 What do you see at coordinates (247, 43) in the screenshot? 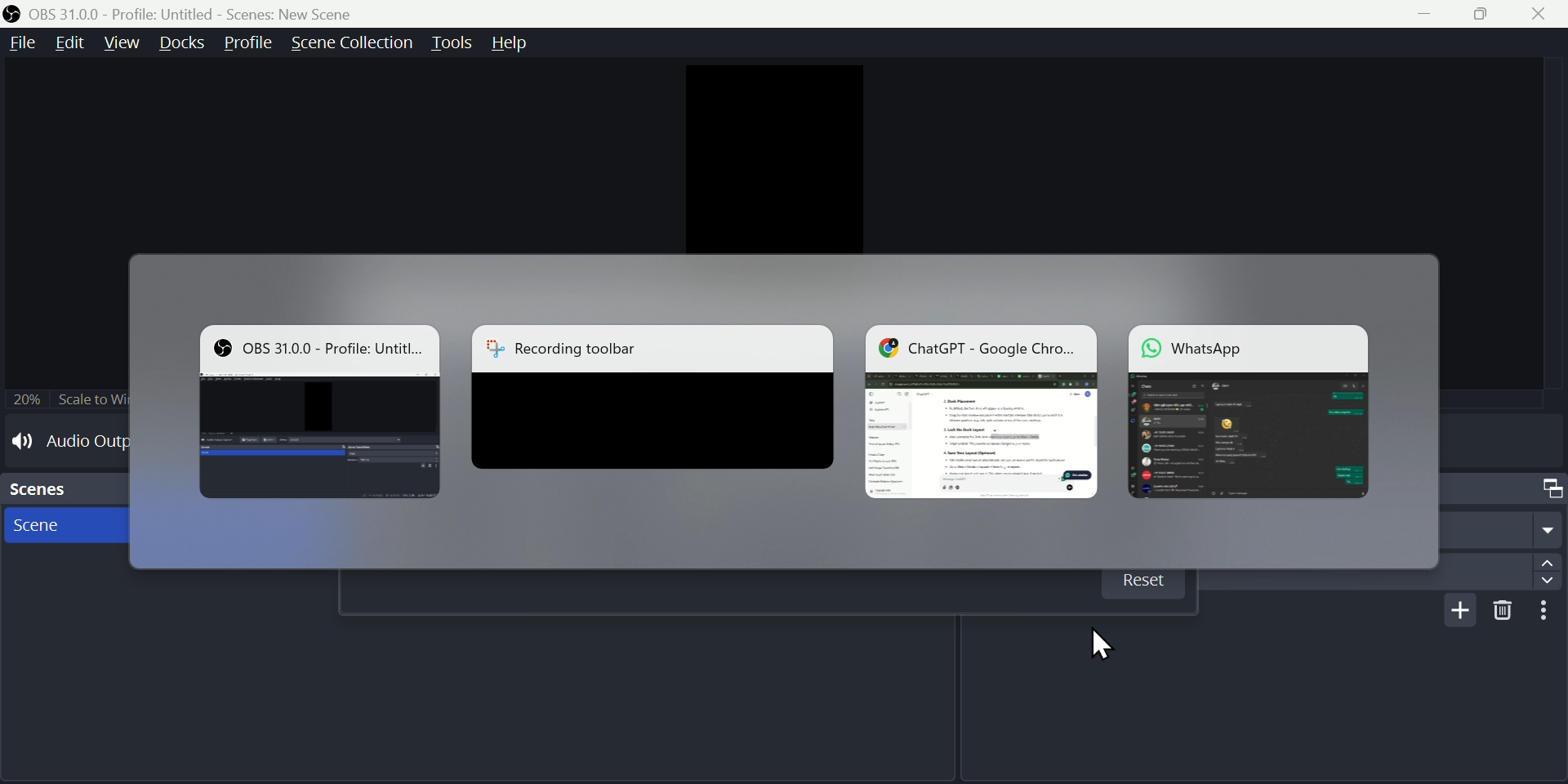
I see `Profile` at bounding box center [247, 43].